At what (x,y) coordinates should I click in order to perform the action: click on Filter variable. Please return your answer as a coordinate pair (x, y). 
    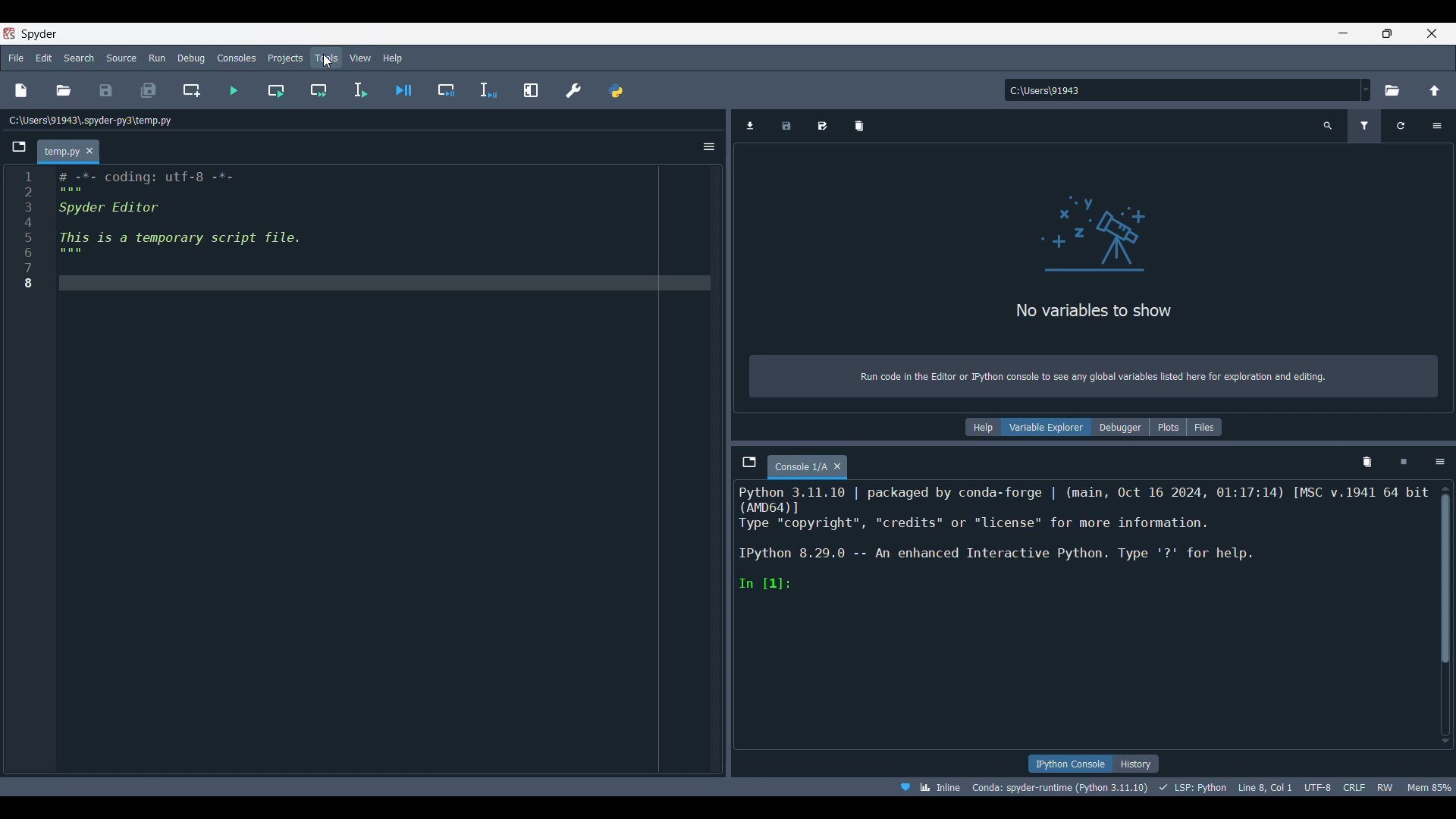
    Looking at the image, I should click on (1364, 127).